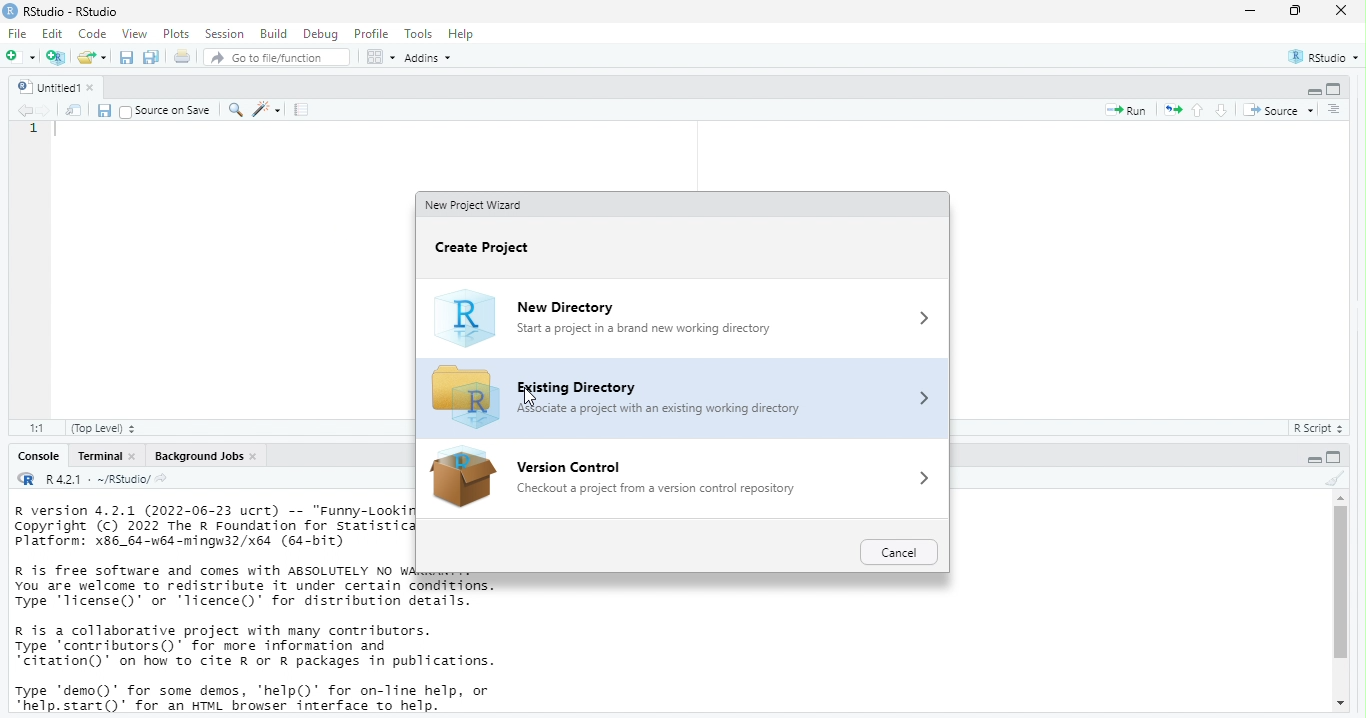 The width and height of the screenshot is (1366, 718). I want to click on typing cursor, so click(63, 131).